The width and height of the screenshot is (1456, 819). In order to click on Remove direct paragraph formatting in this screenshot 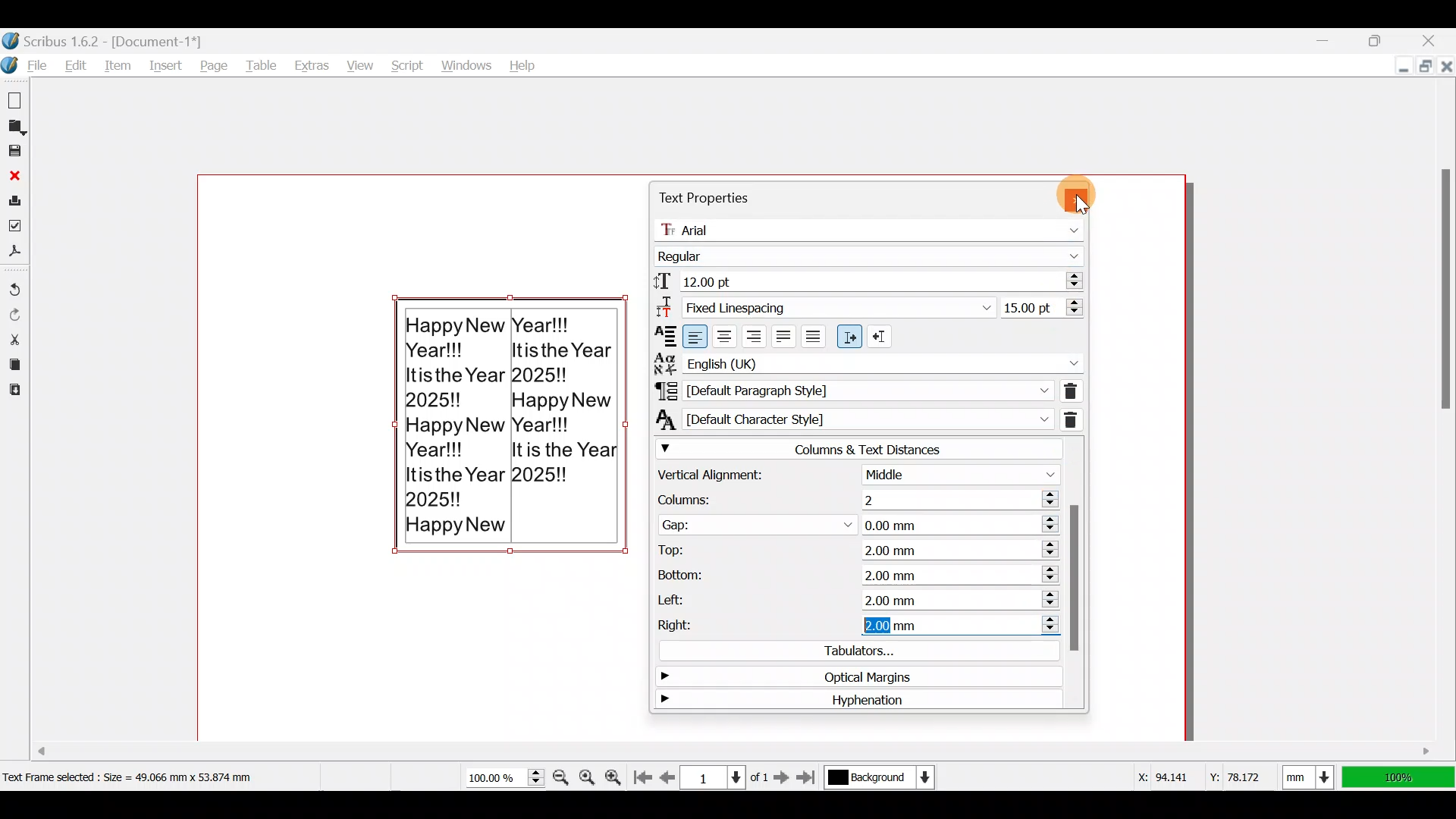, I will do `click(1070, 389)`.